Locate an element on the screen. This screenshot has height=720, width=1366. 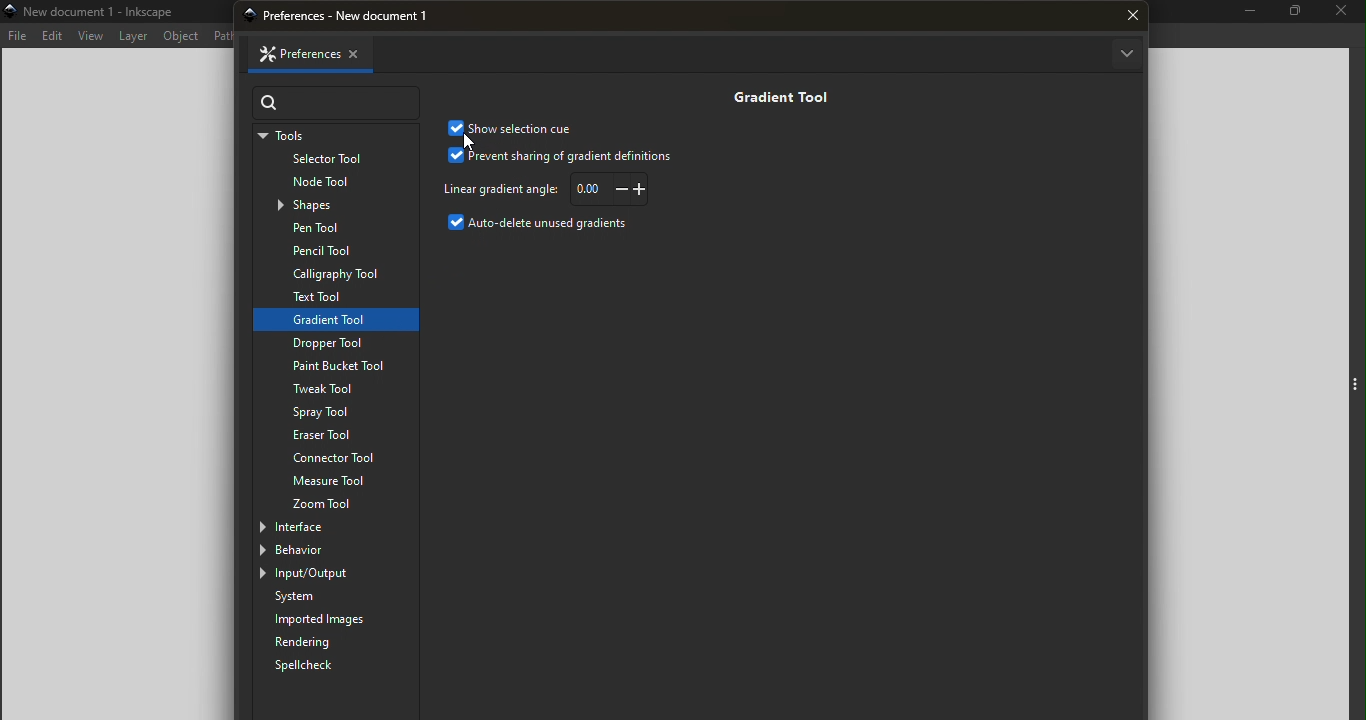
Layer is located at coordinates (135, 36).